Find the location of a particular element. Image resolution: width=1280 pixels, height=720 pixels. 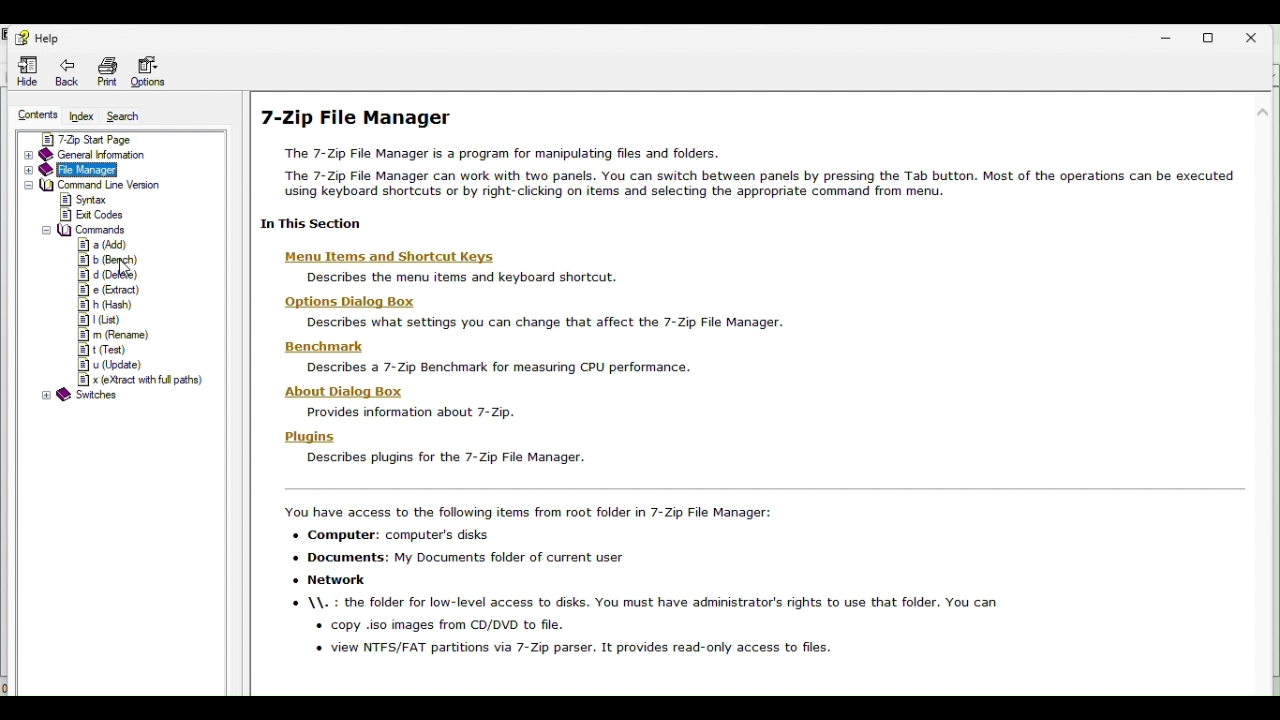

scroll bar is located at coordinates (1261, 312).